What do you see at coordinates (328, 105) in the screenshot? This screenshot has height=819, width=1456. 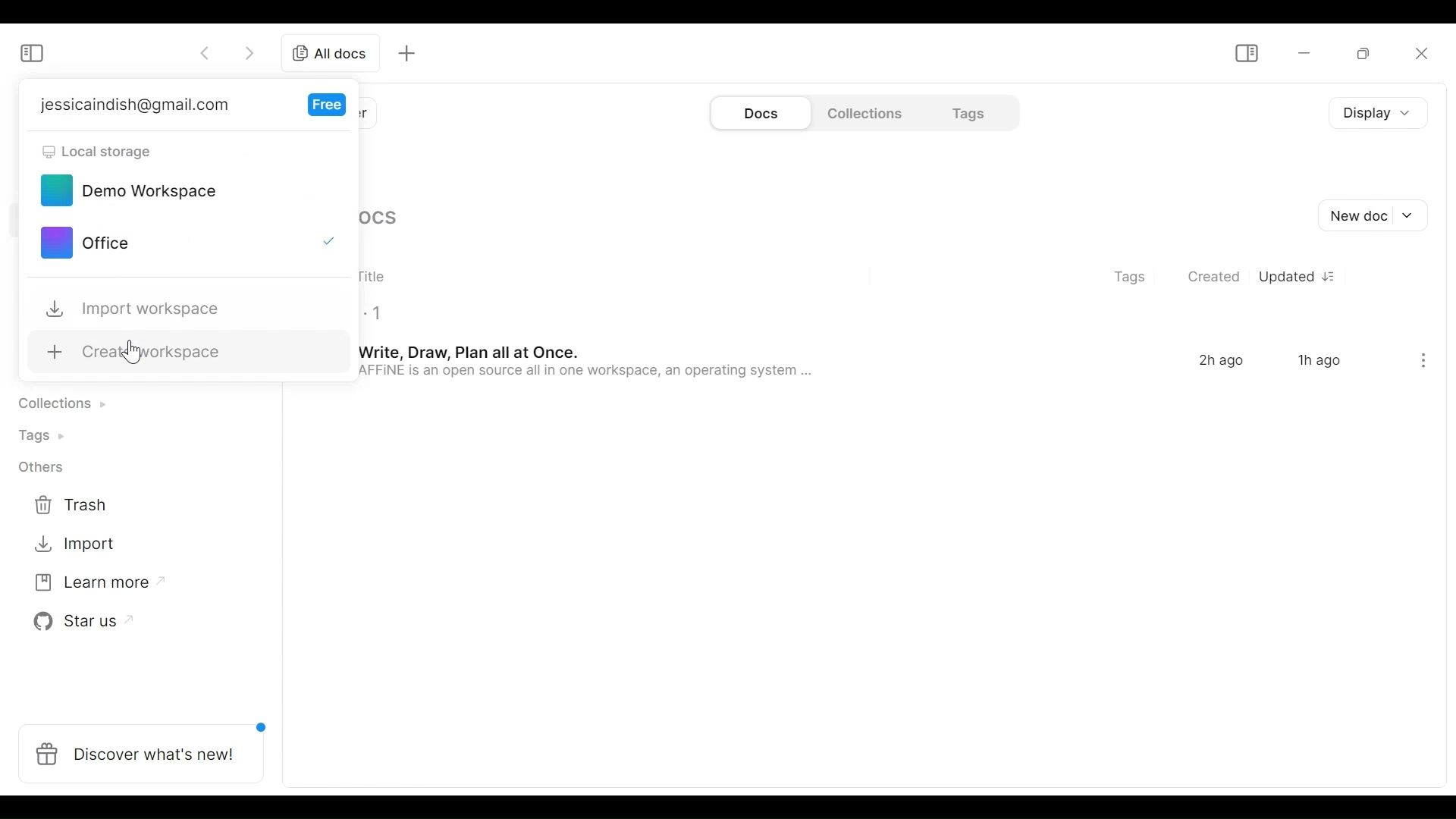 I see `Free` at bounding box center [328, 105].